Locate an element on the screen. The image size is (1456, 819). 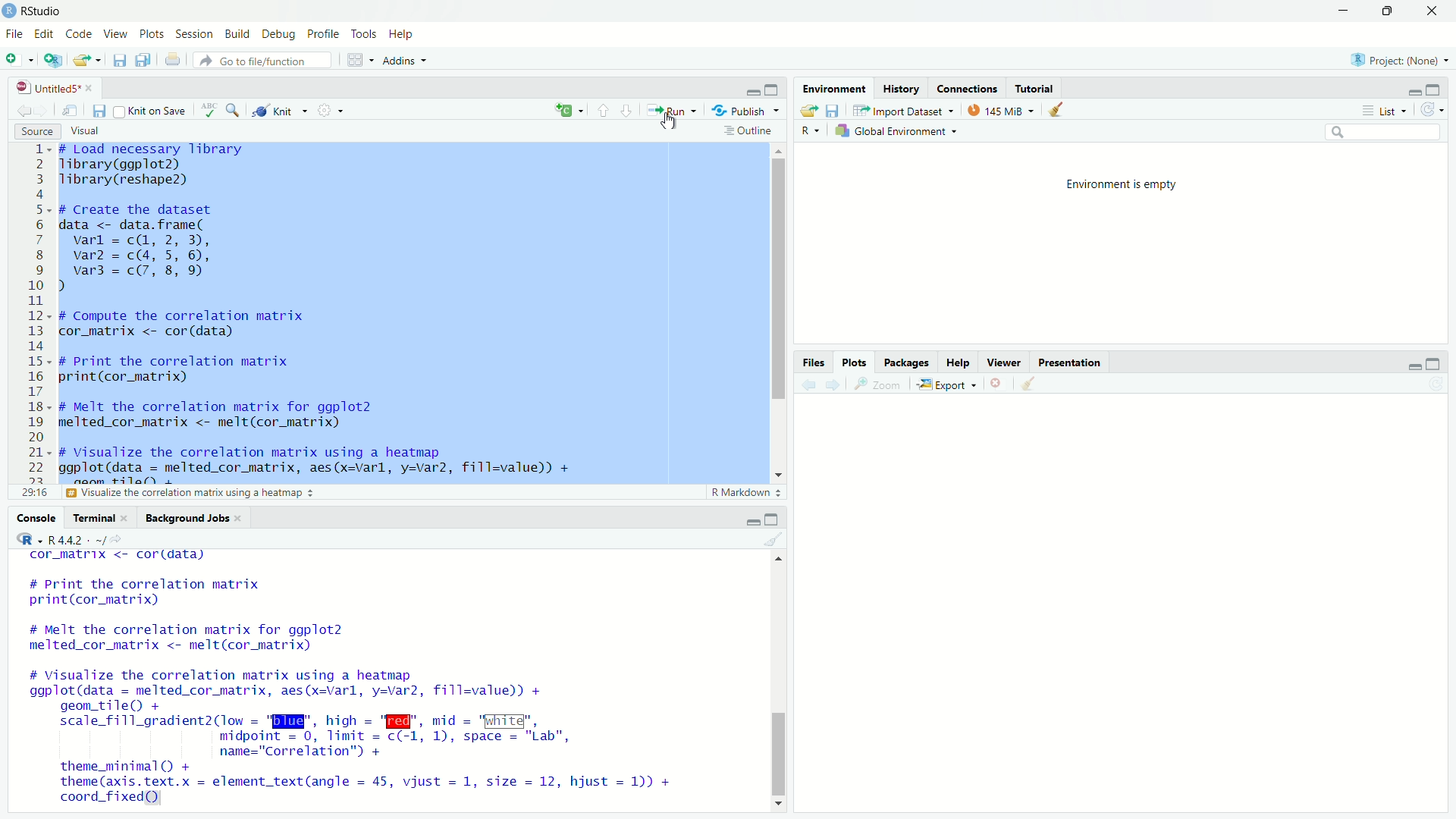
go forward is located at coordinates (45, 110).